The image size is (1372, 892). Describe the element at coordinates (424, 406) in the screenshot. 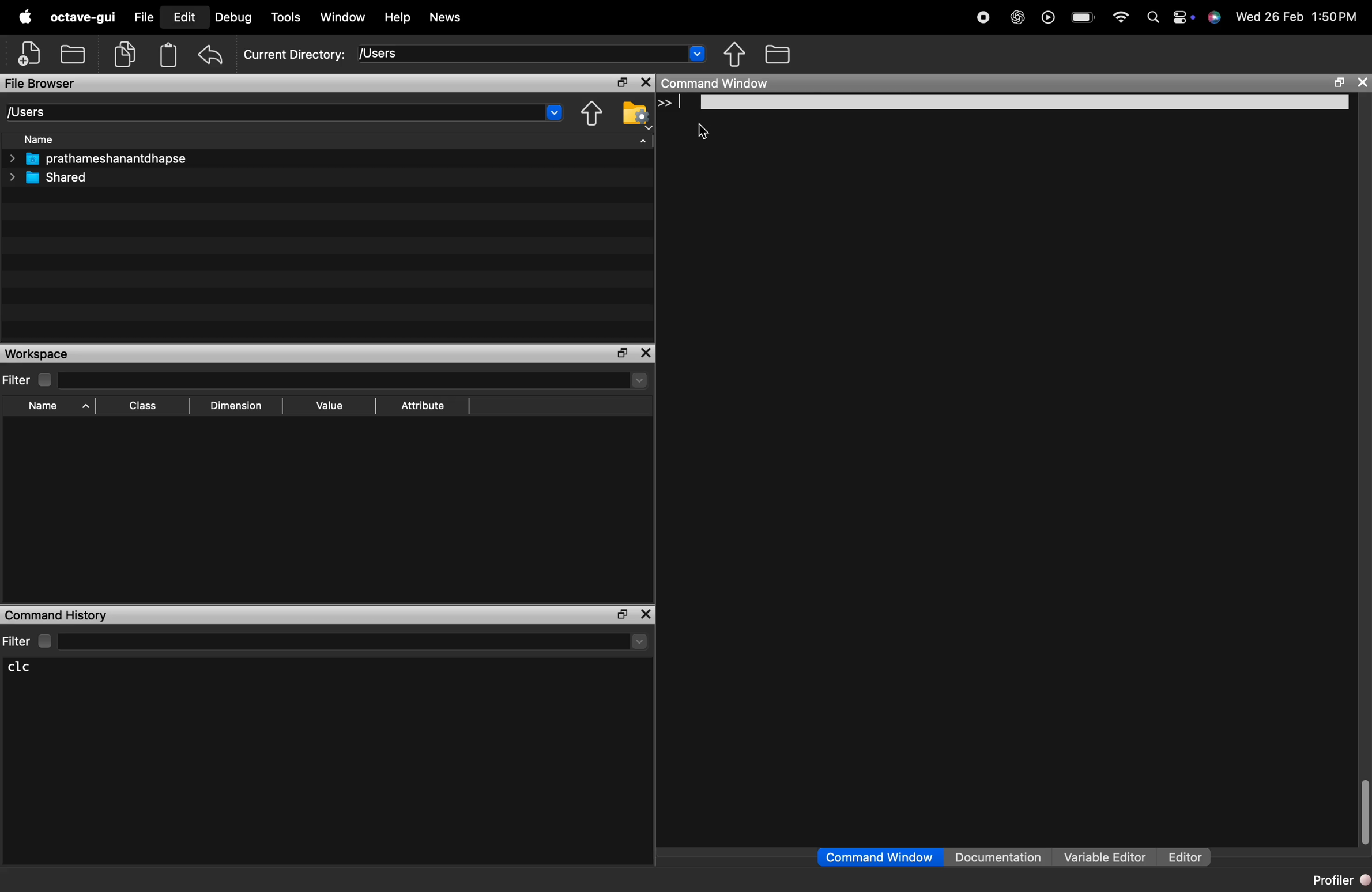

I see `Attribute` at that location.